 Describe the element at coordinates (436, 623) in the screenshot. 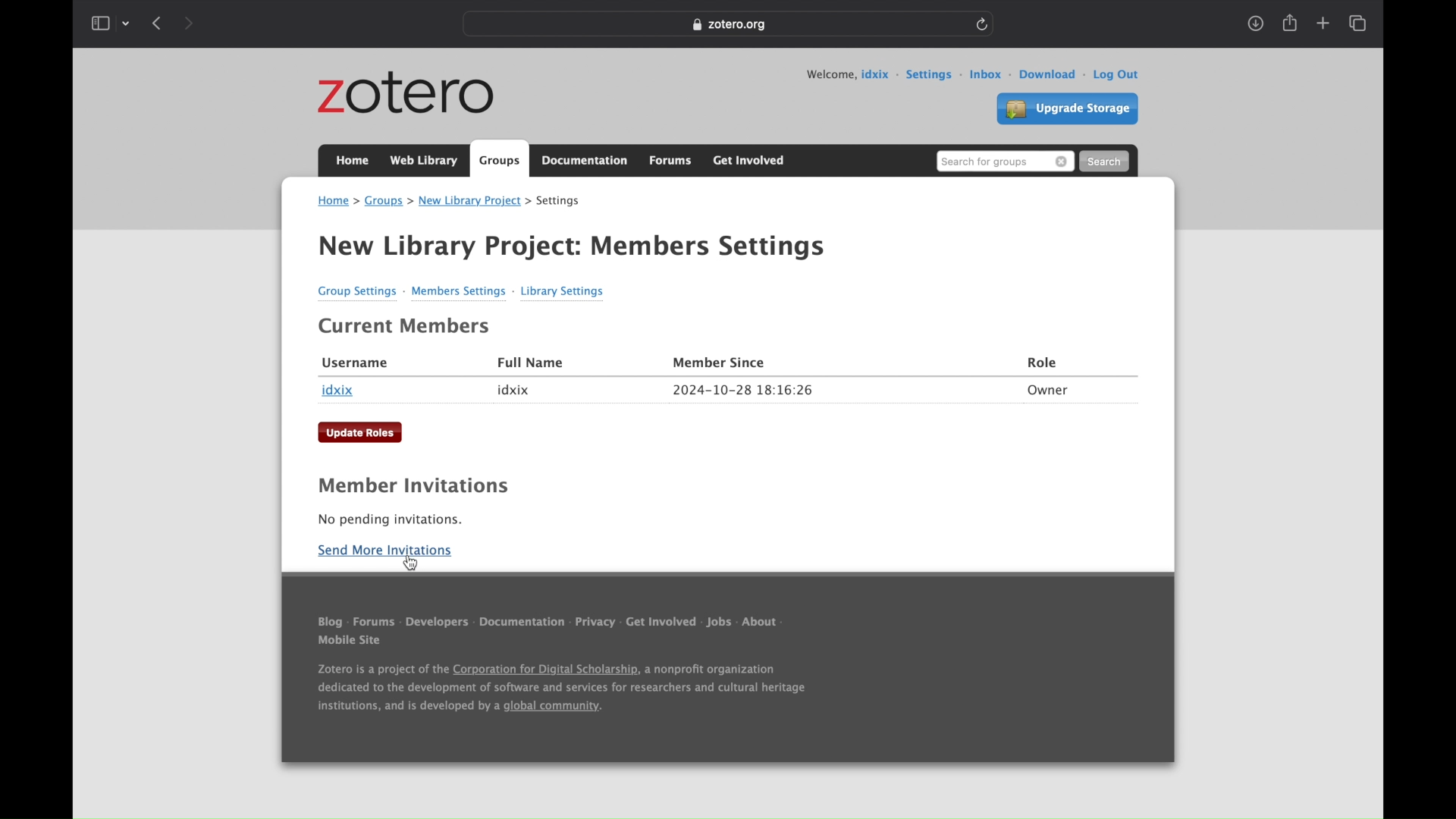

I see `developers` at that location.